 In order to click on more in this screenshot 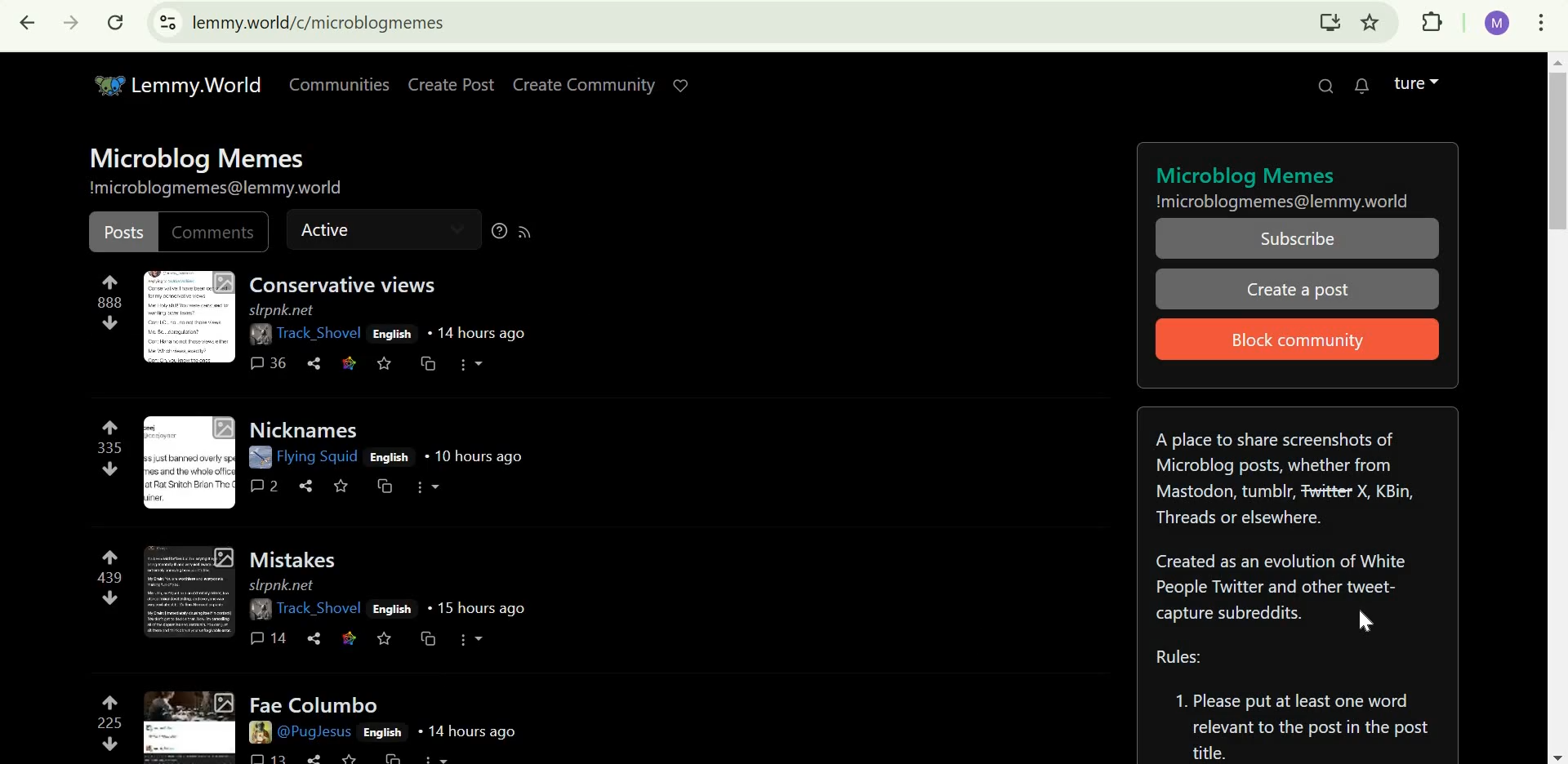, I will do `click(429, 487)`.